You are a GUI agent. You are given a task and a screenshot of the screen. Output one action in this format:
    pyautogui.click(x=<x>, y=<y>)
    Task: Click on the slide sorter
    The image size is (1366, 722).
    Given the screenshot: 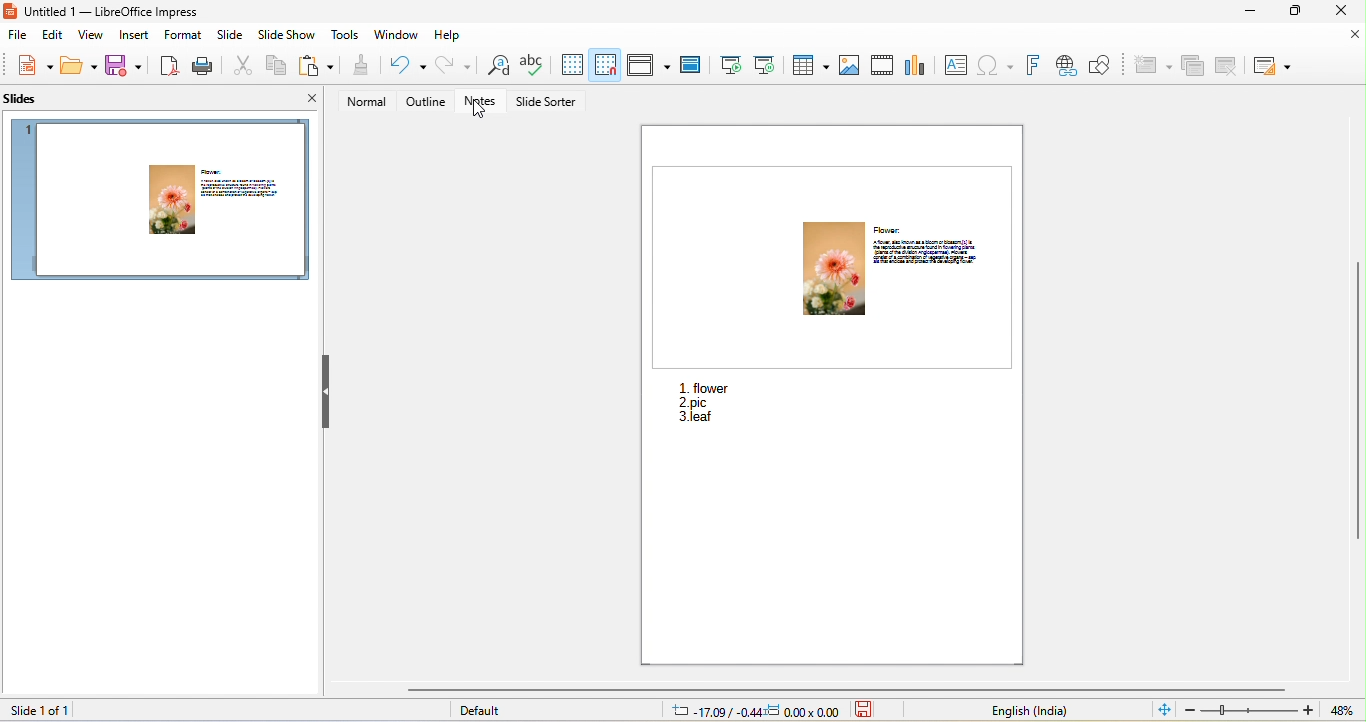 What is the action you would take?
    pyautogui.click(x=549, y=101)
    